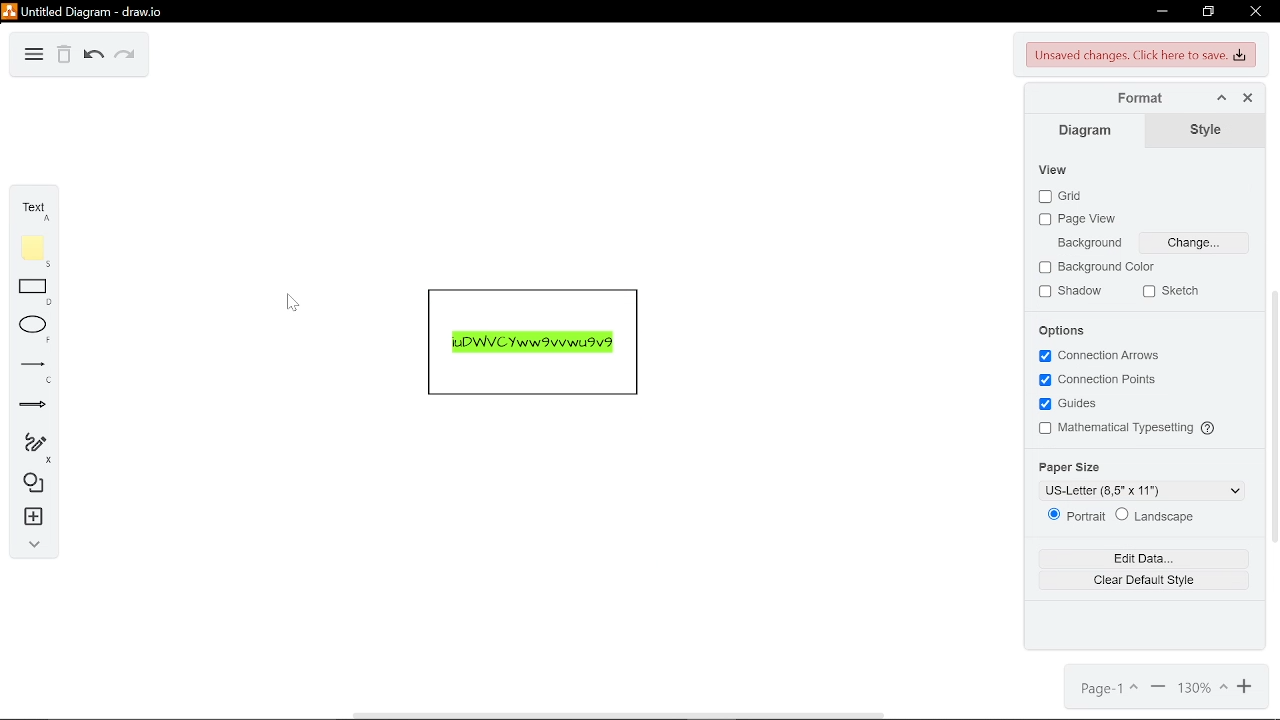 Image resolution: width=1280 pixels, height=720 pixels. I want to click on US-Letter (8,5" x 117), so click(1152, 490).